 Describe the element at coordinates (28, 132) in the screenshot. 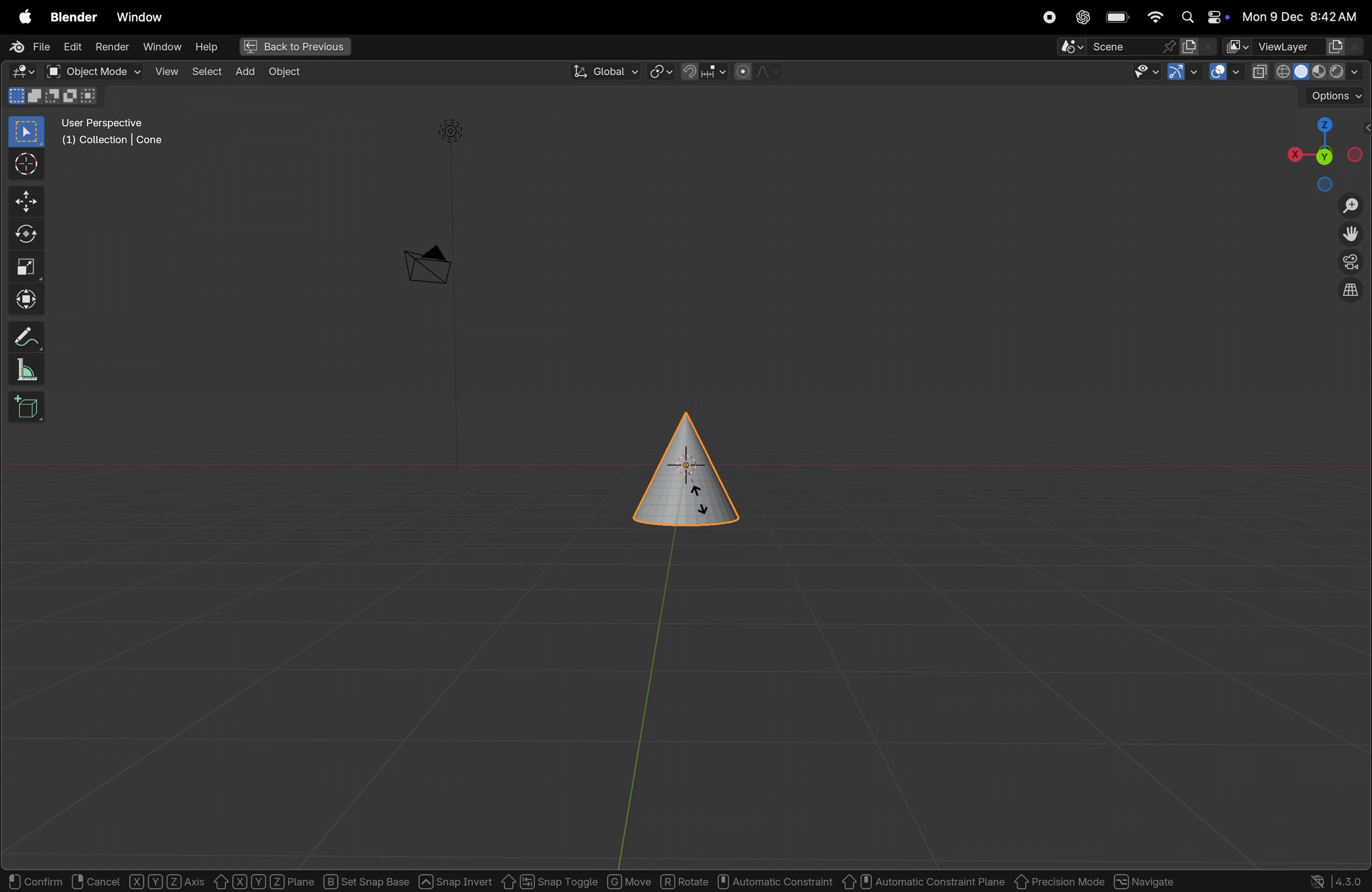

I see `select box` at that location.